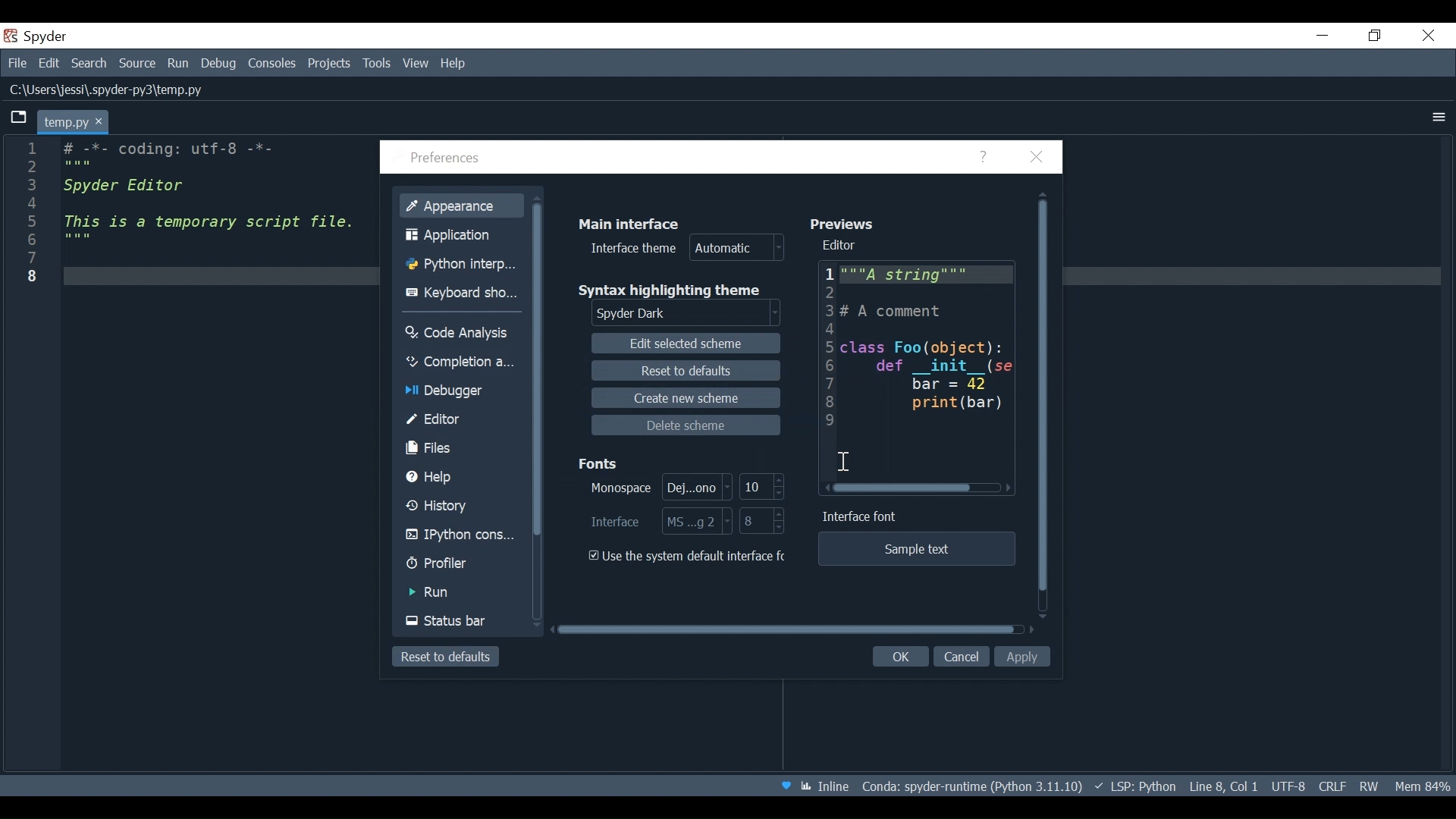  Describe the element at coordinates (459, 392) in the screenshot. I see `Debugger` at that location.